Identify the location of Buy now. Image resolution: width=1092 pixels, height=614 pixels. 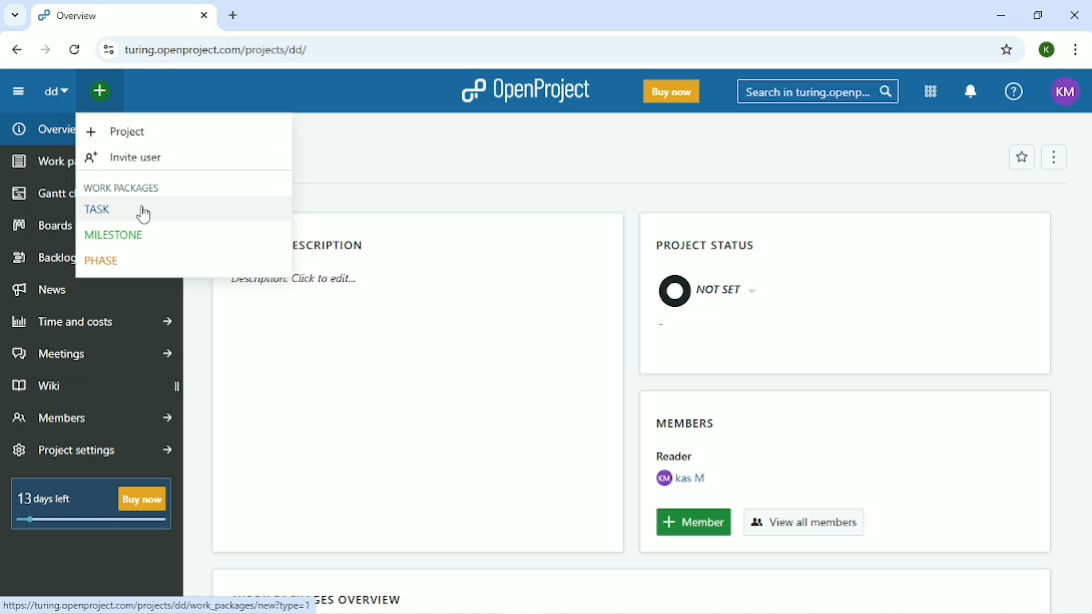
(671, 92).